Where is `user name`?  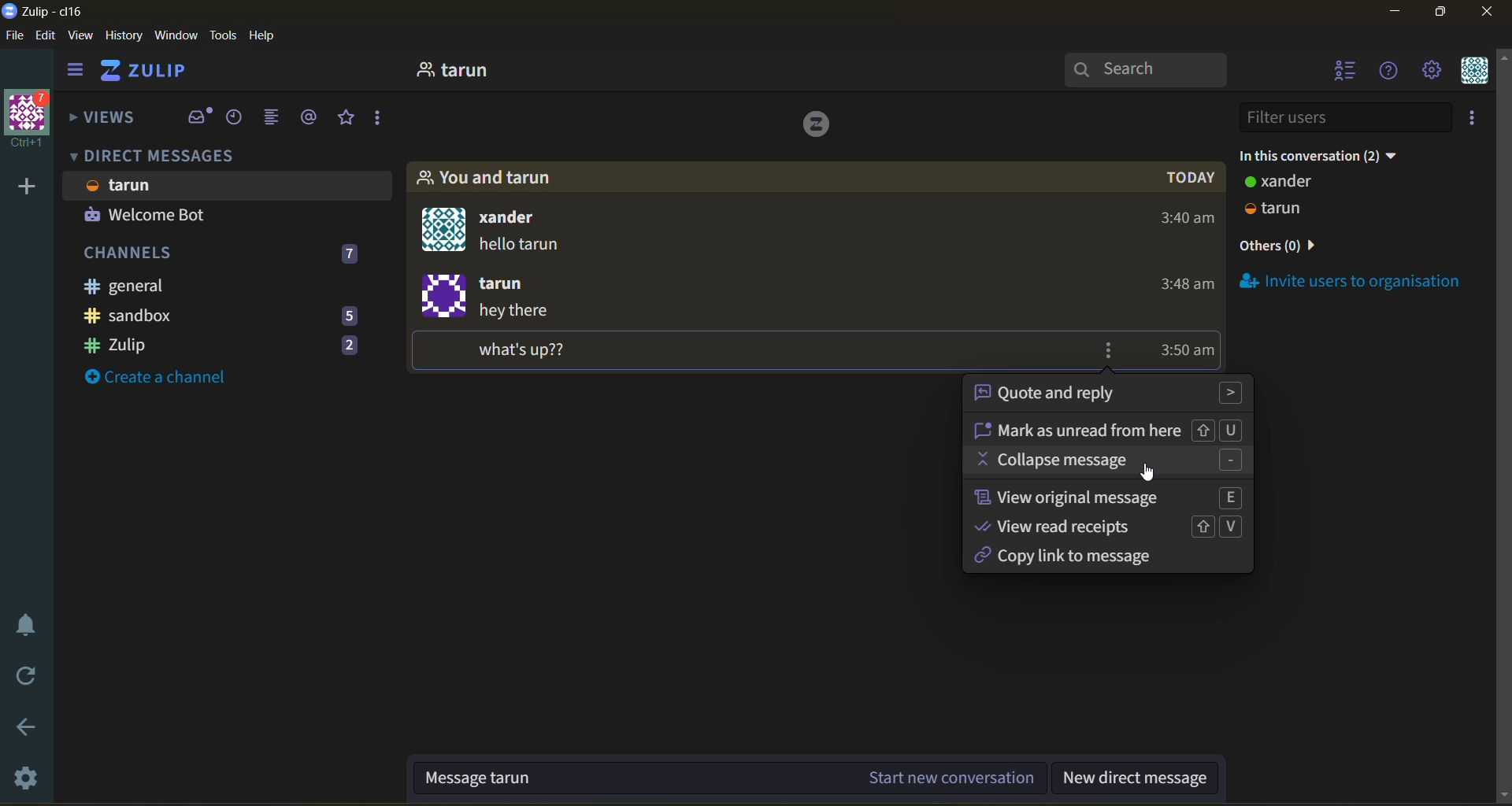
user name is located at coordinates (135, 187).